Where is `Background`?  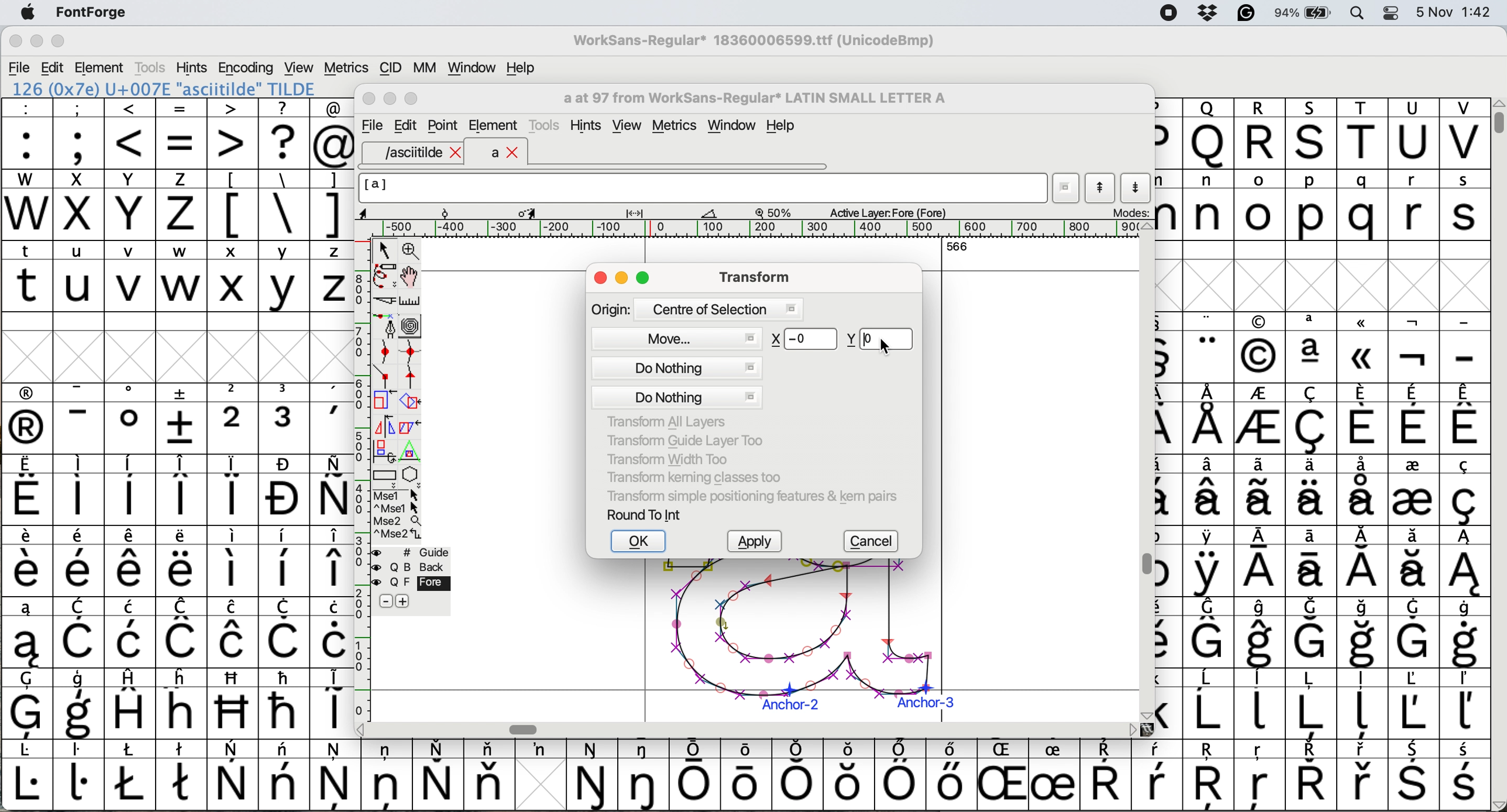
Background is located at coordinates (424, 567).